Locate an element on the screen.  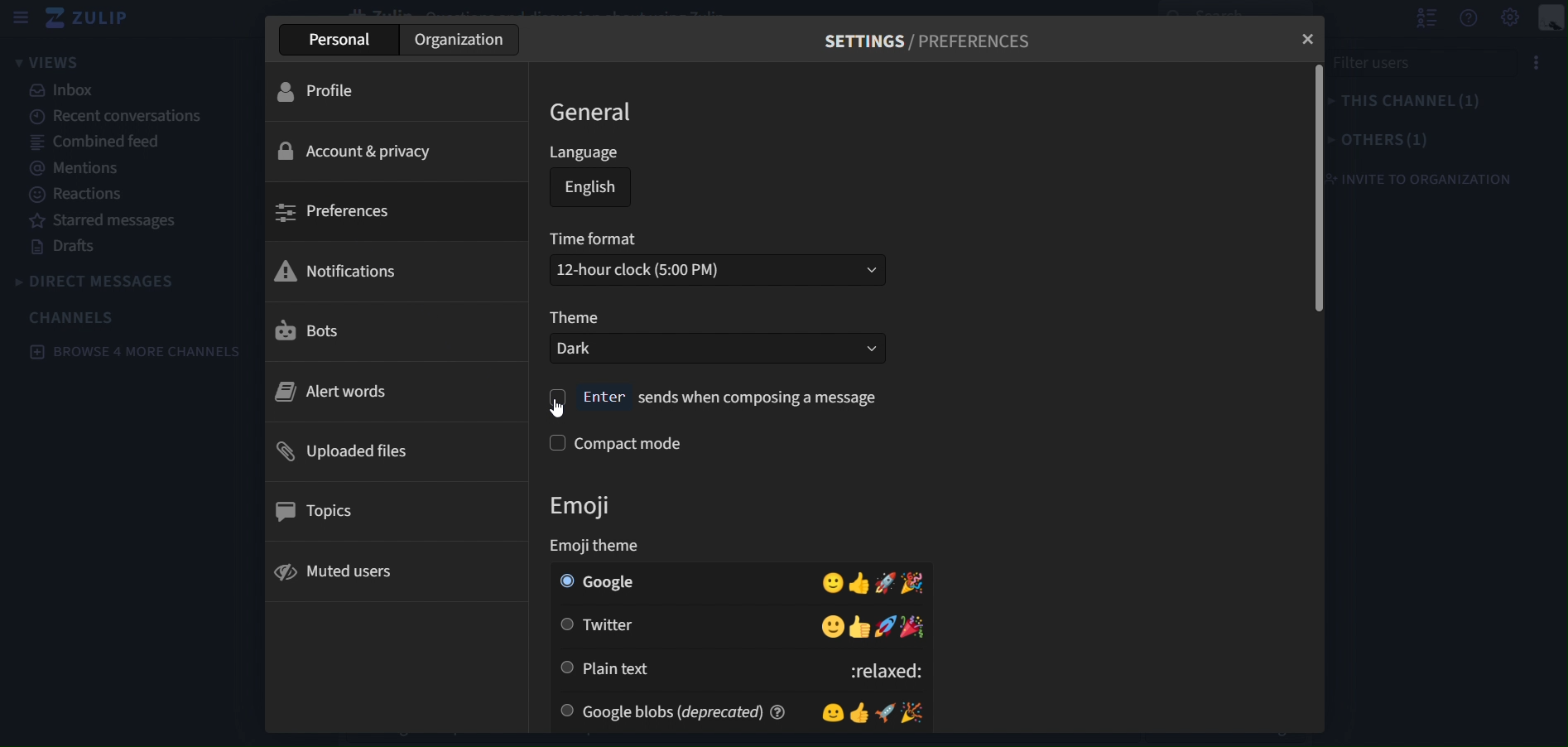
theme is located at coordinates (578, 319).